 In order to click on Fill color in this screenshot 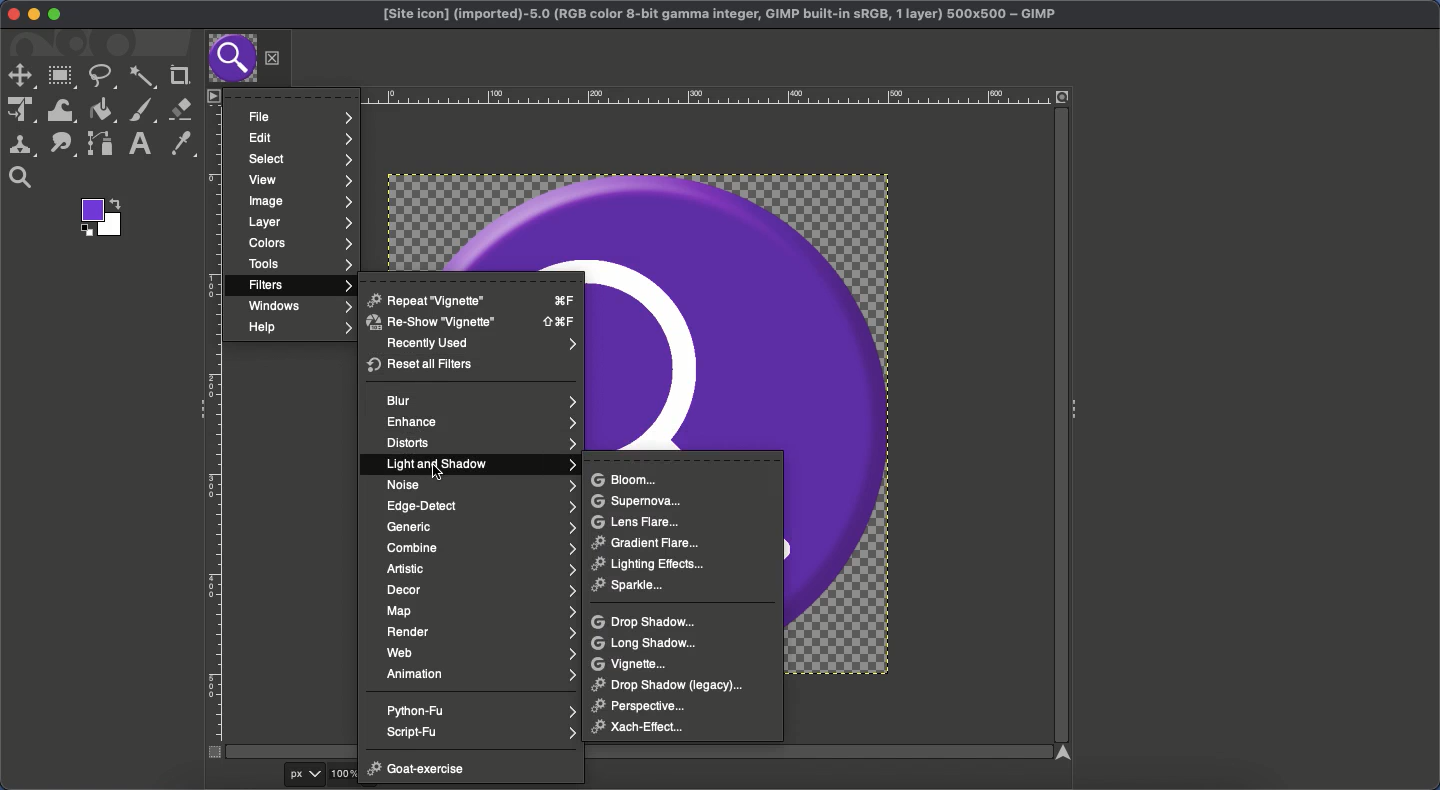, I will do `click(102, 110)`.